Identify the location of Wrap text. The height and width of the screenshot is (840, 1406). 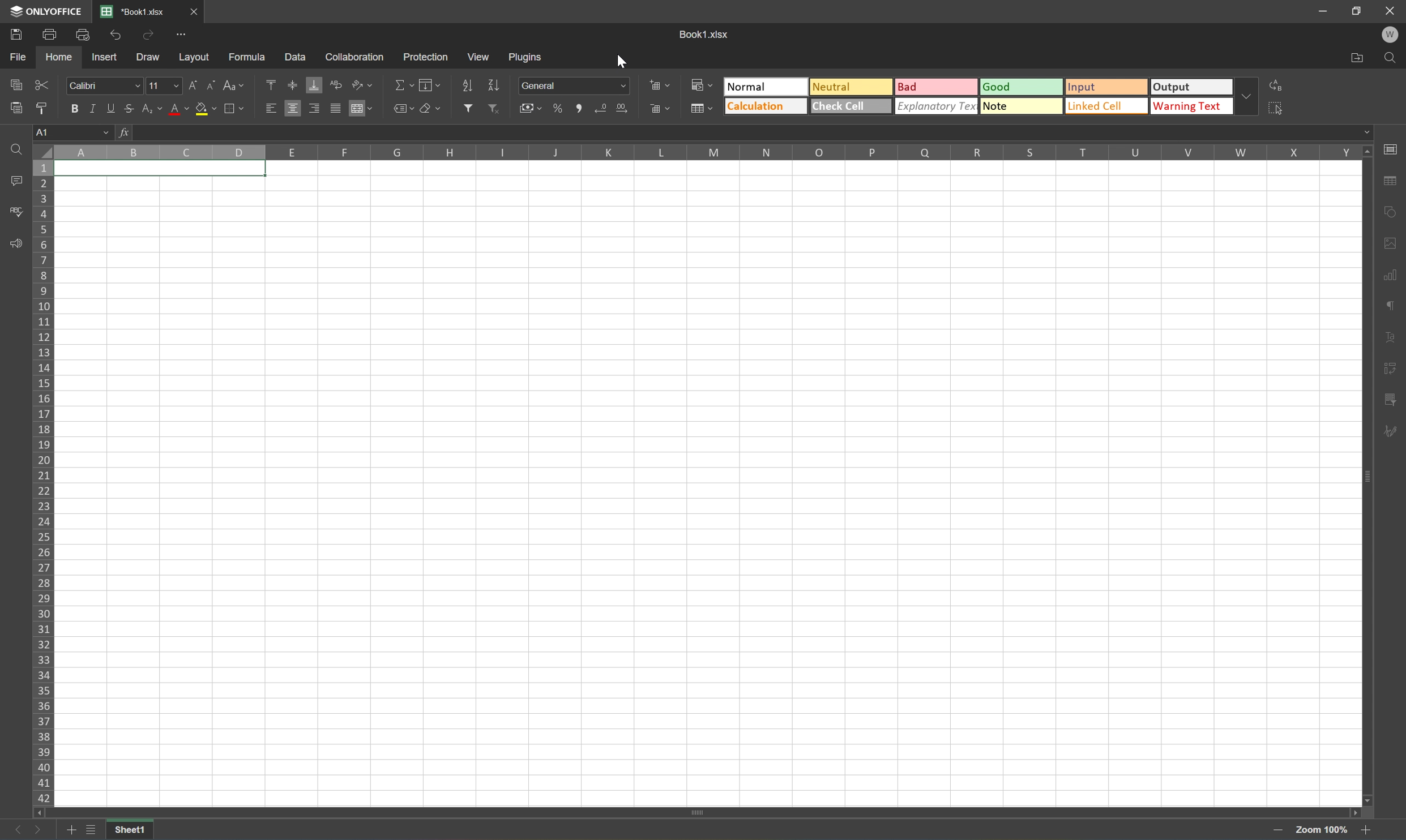
(335, 85).